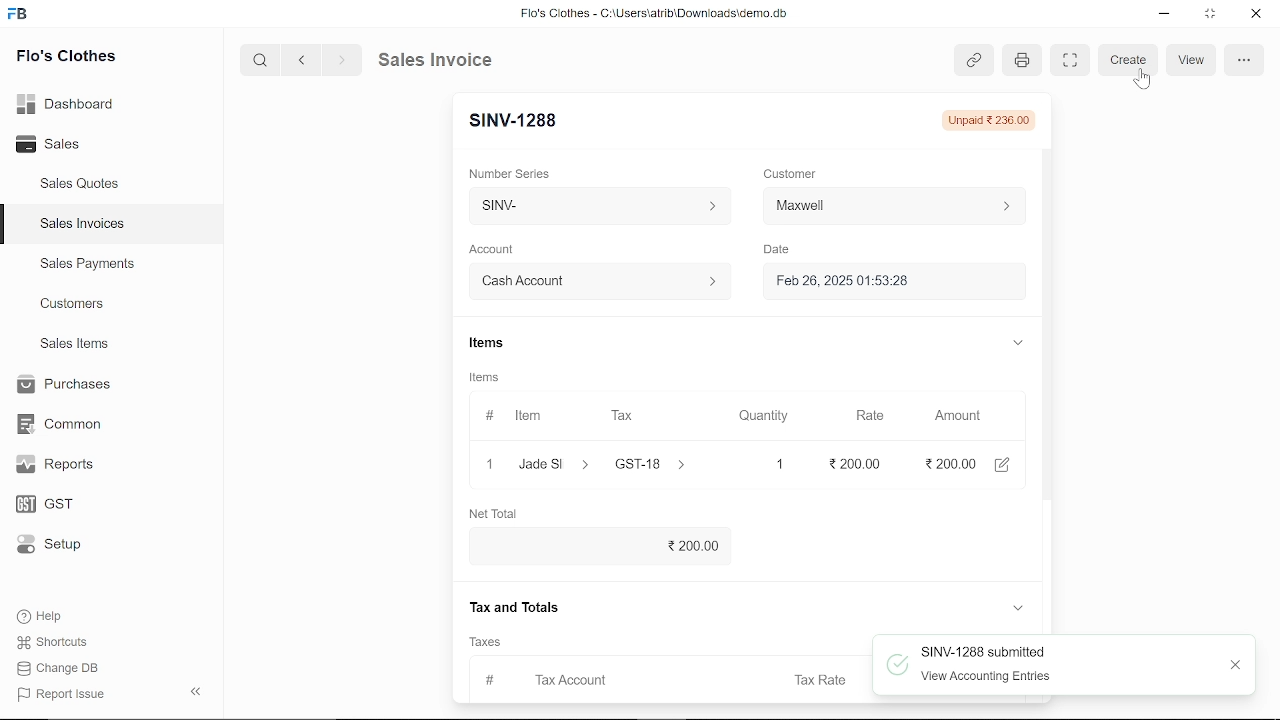 This screenshot has height=720, width=1280. Describe the element at coordinates (863, 416) in the screenshot. I see `Rate` at that location.